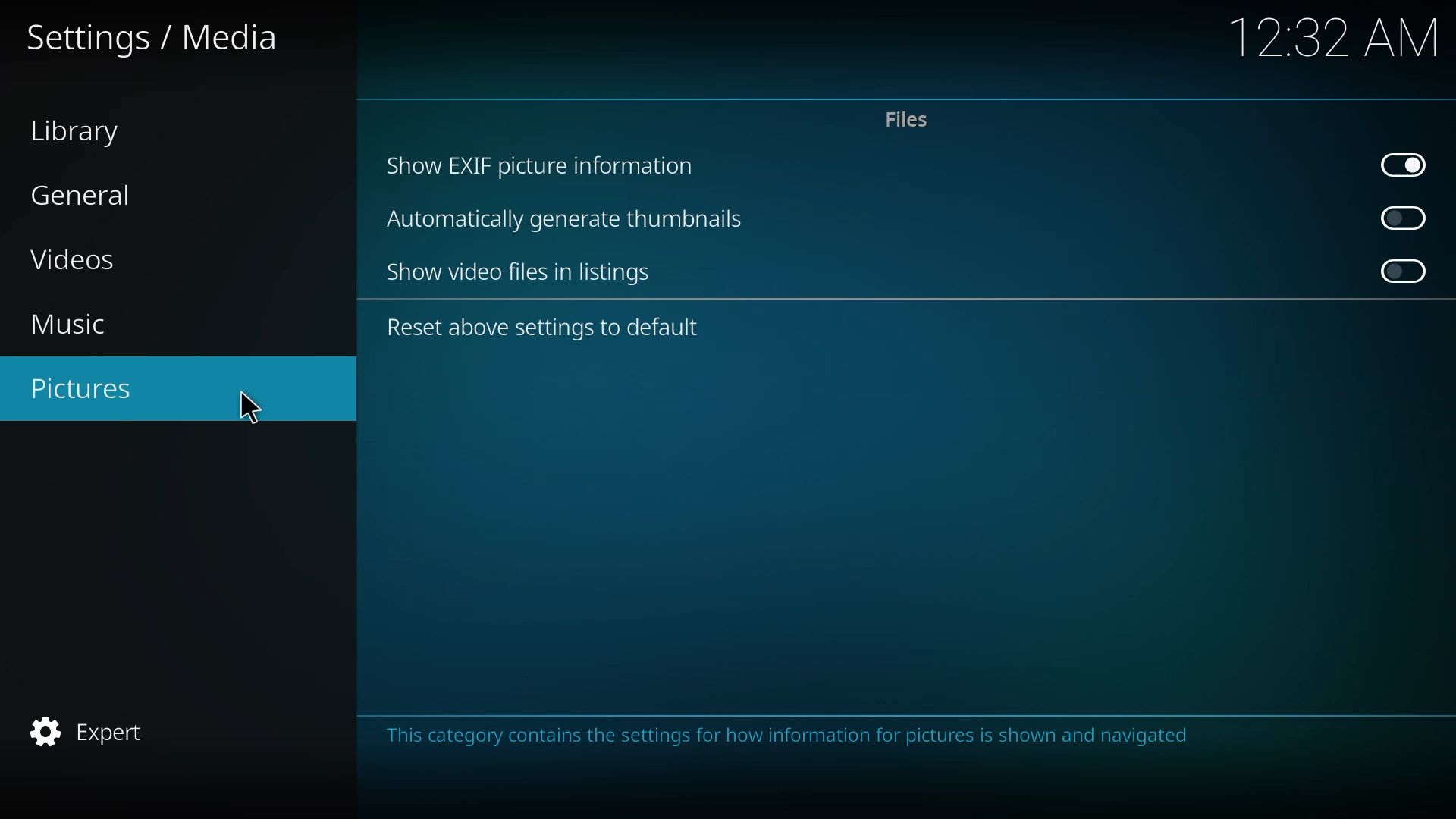 Image resolution: width=1456 pixels, height=819 pixels. Describe the element at coordinates (575, 220) in the screenshot. I see `automatically generate thumbnails` at that location.